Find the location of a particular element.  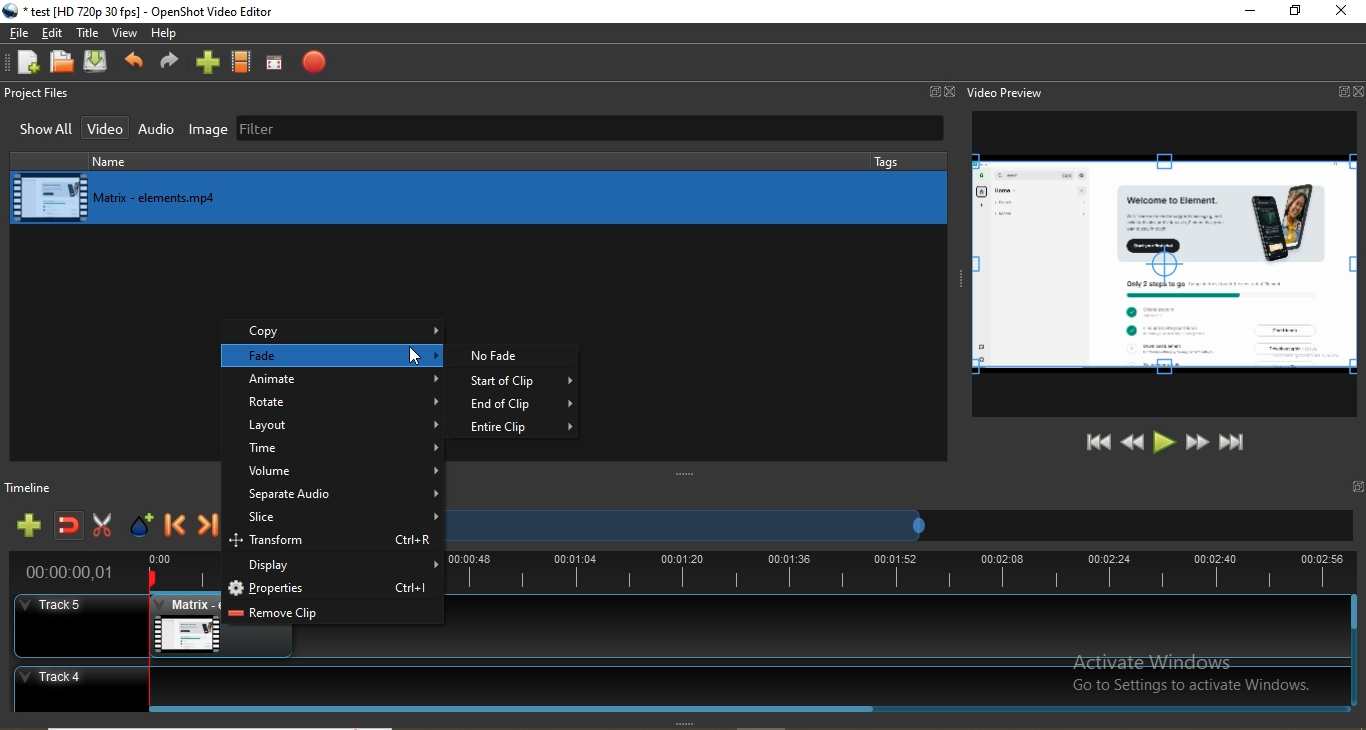

Window  is located at coordinates (935, 91).